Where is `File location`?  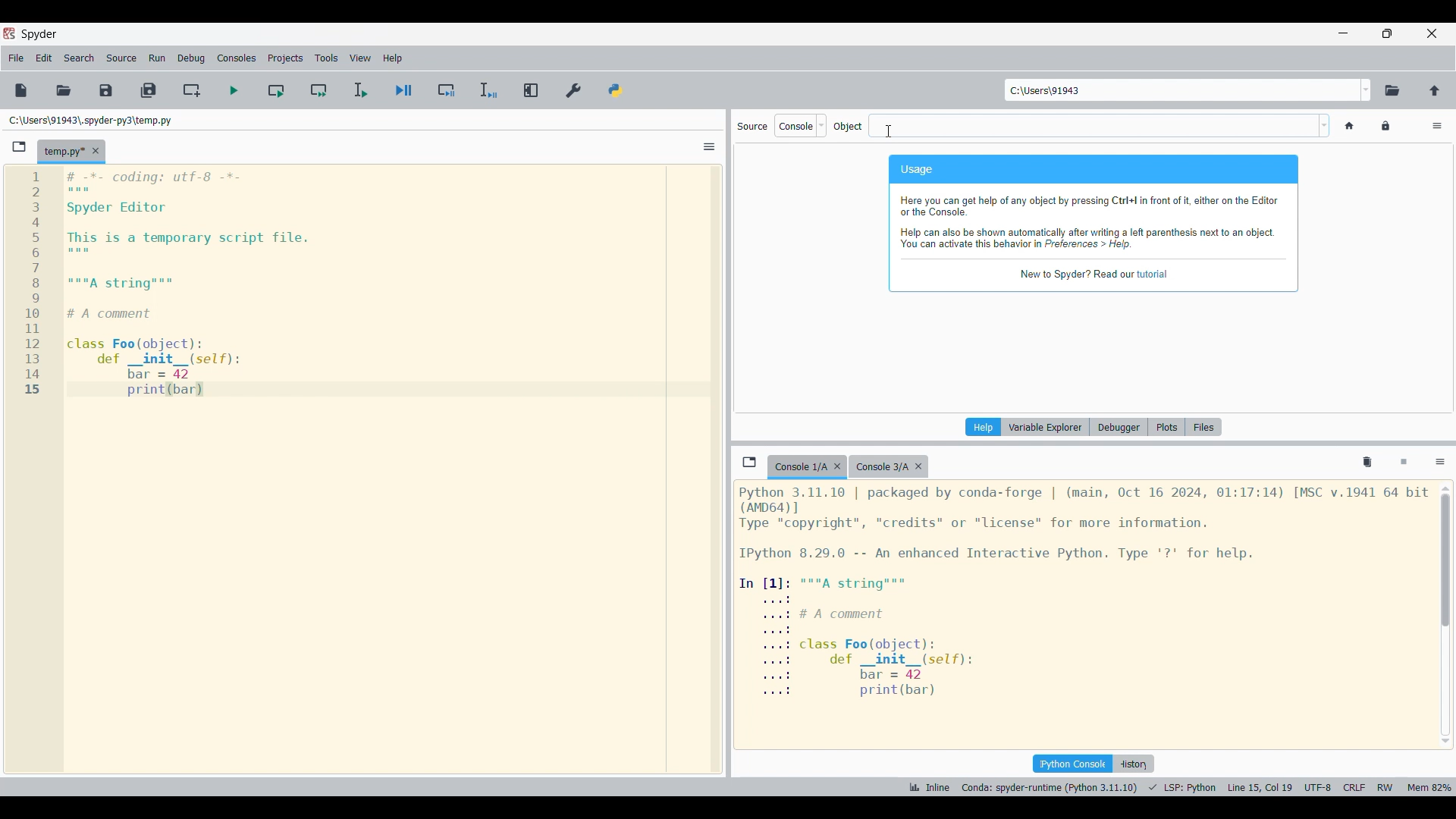
File location is located at coordinates (91, 121).